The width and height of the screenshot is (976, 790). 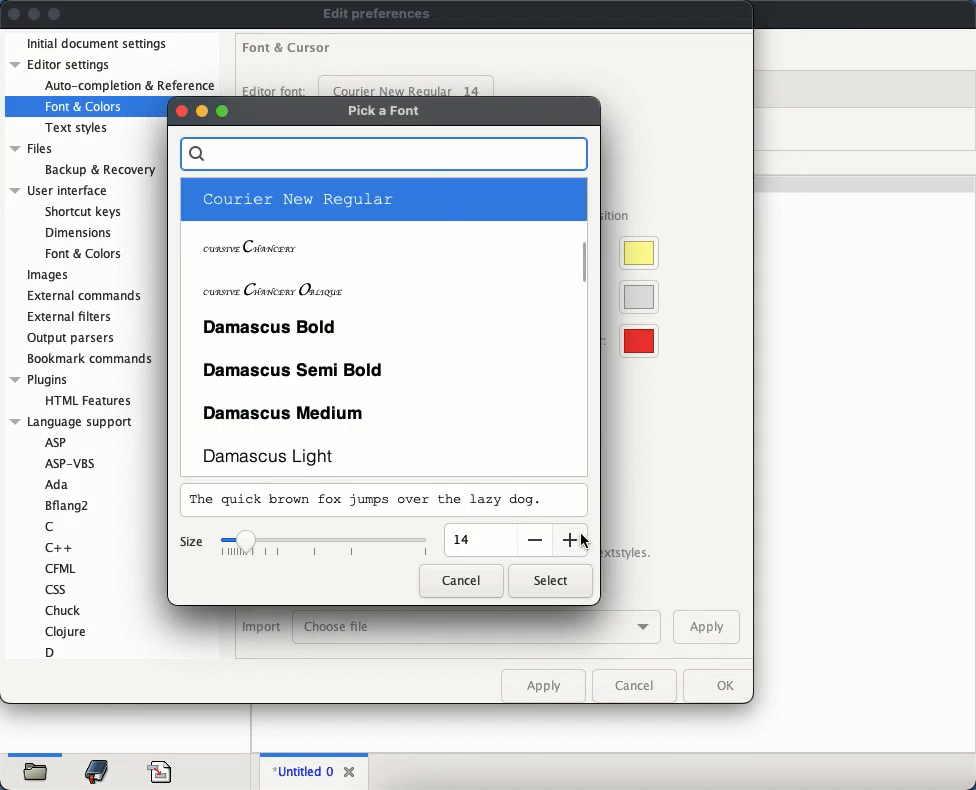 I want to click on damascus light, so click(x=383, y=455).